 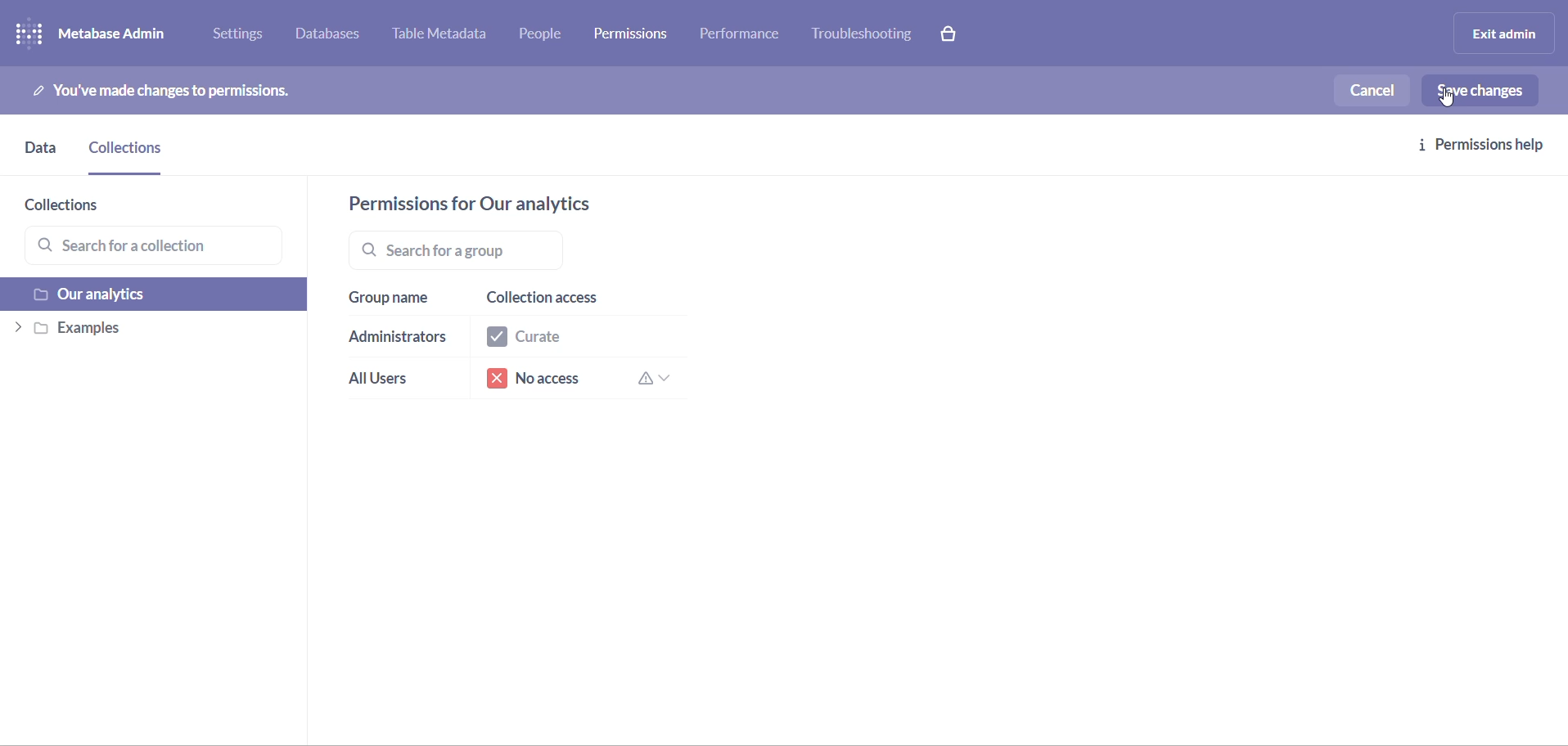 I want to click on search bar, so click(x=155, y=245).